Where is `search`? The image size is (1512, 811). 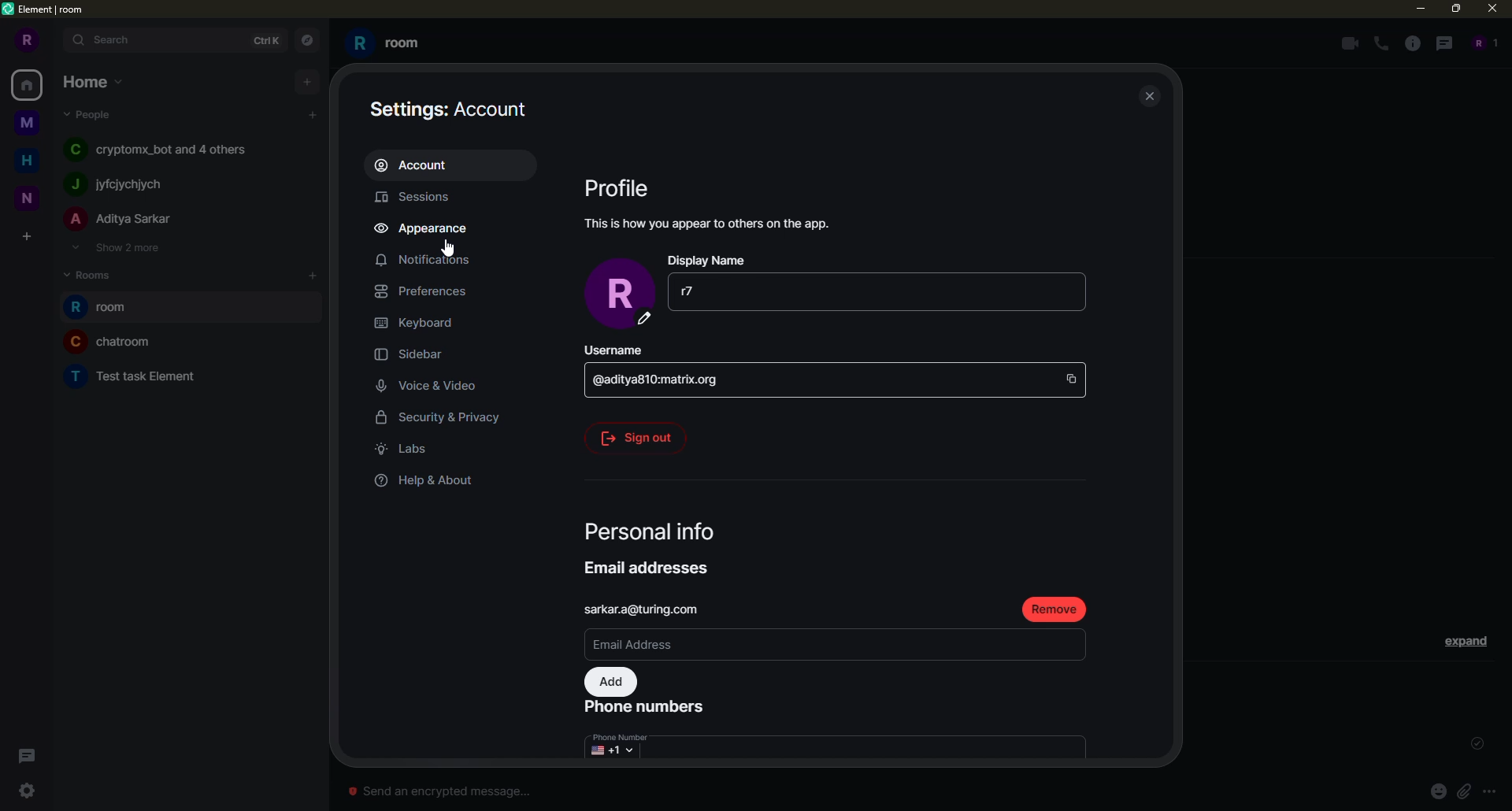
search is located at coordinates (112, 39).